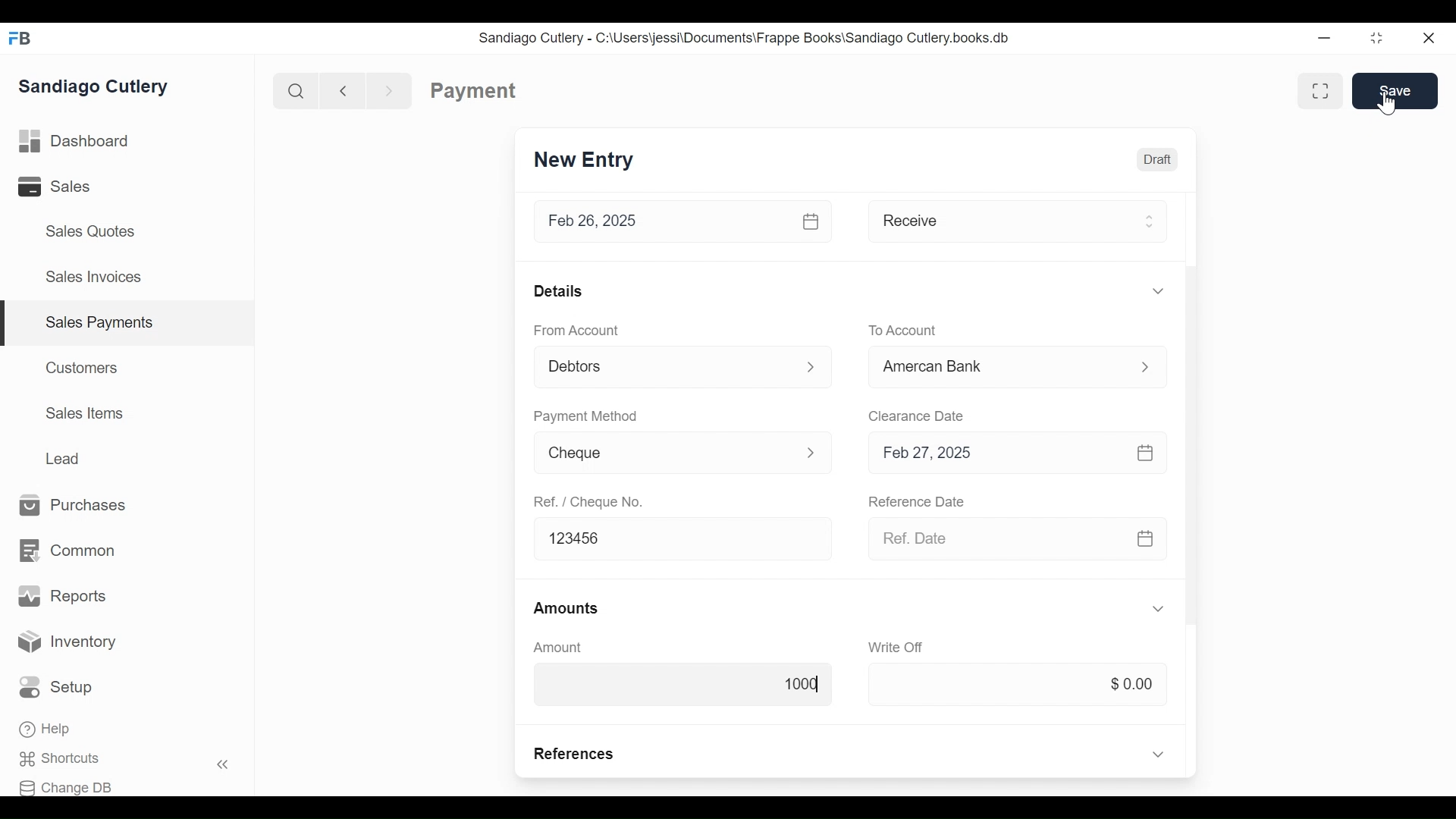 Image resolution: width=1456 pixels, height=819 pixels. I want to click on ‘Write Off, so click(898, 647).